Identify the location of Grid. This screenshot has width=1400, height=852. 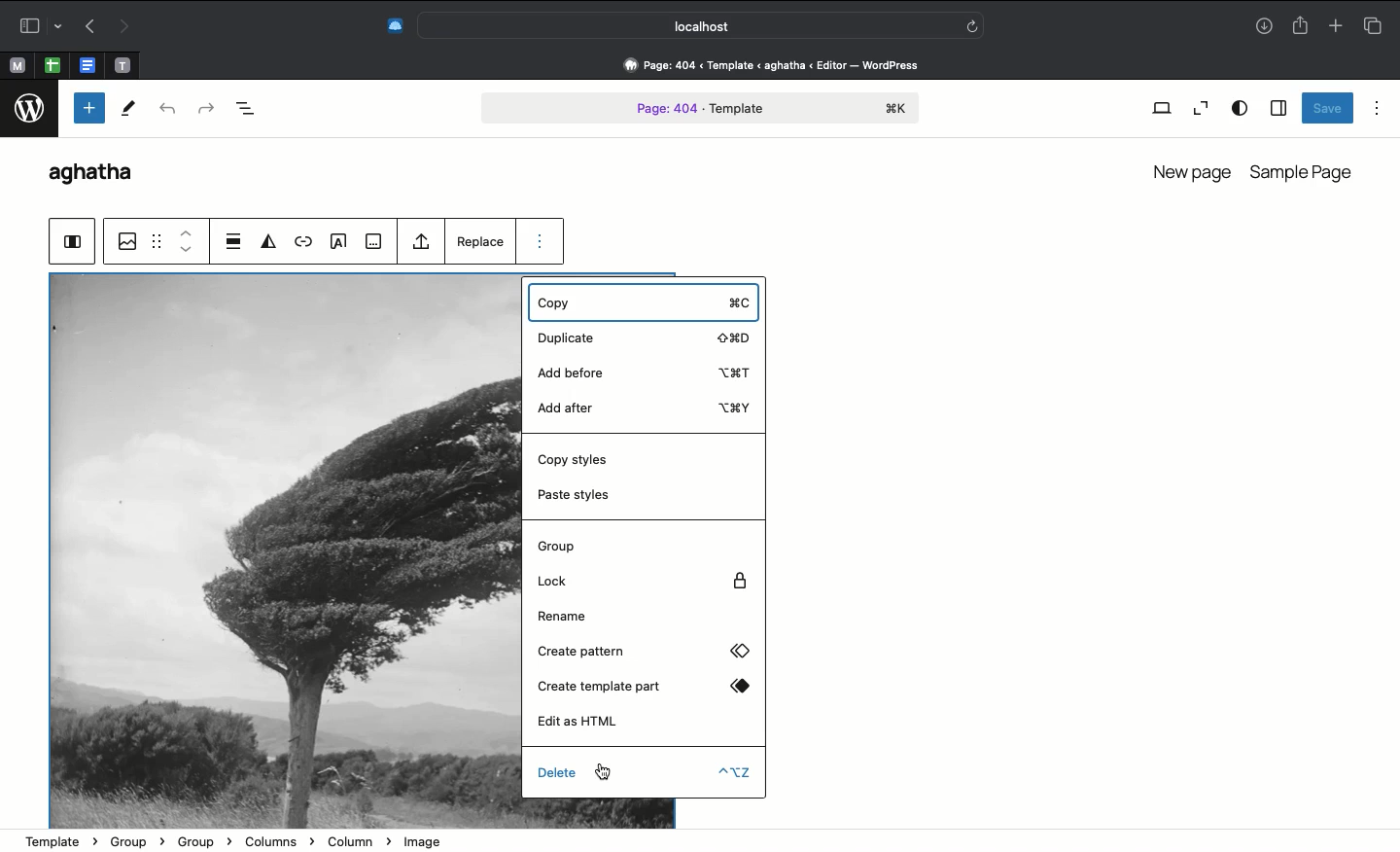
(157, 240).